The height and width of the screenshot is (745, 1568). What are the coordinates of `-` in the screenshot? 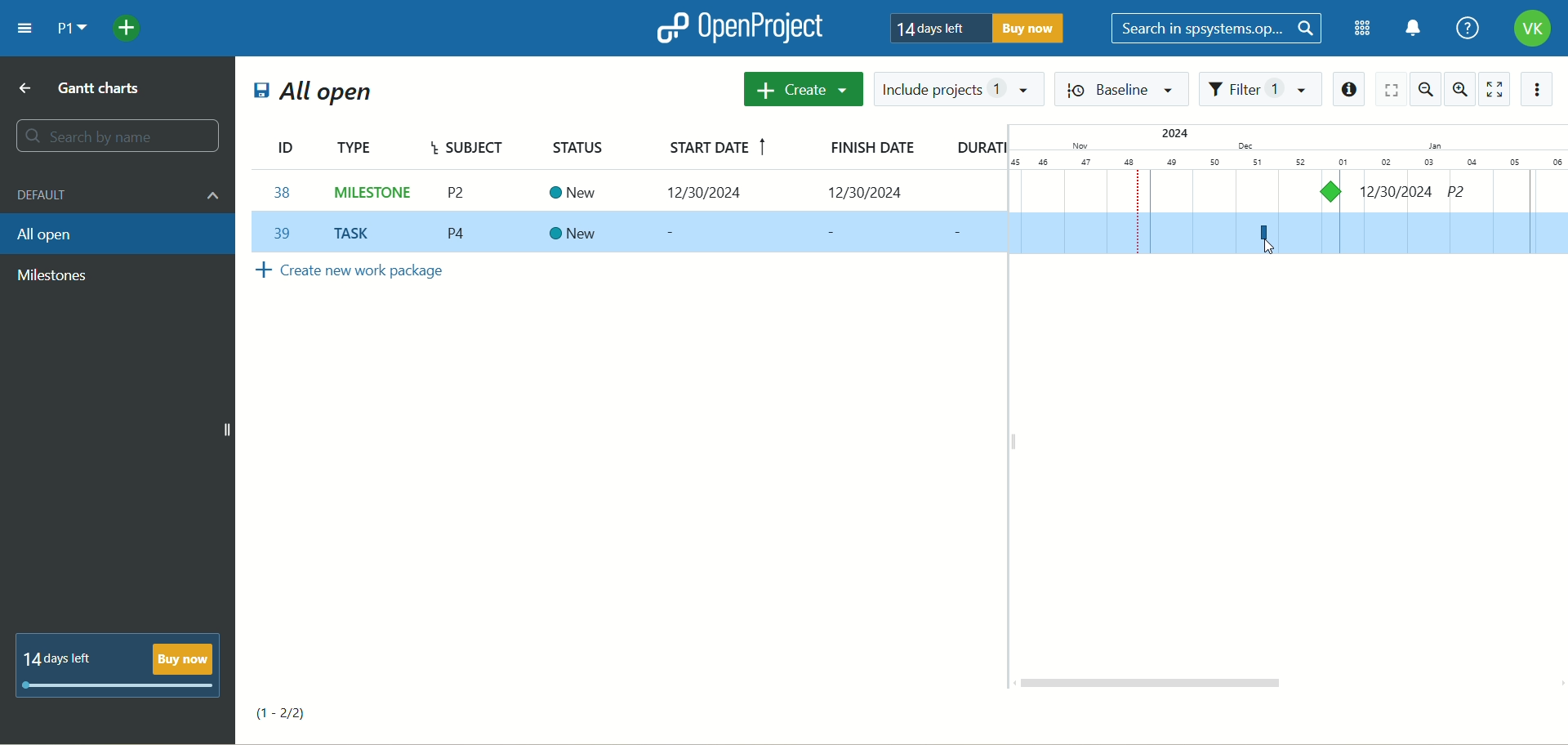 It's located at (835, 233).